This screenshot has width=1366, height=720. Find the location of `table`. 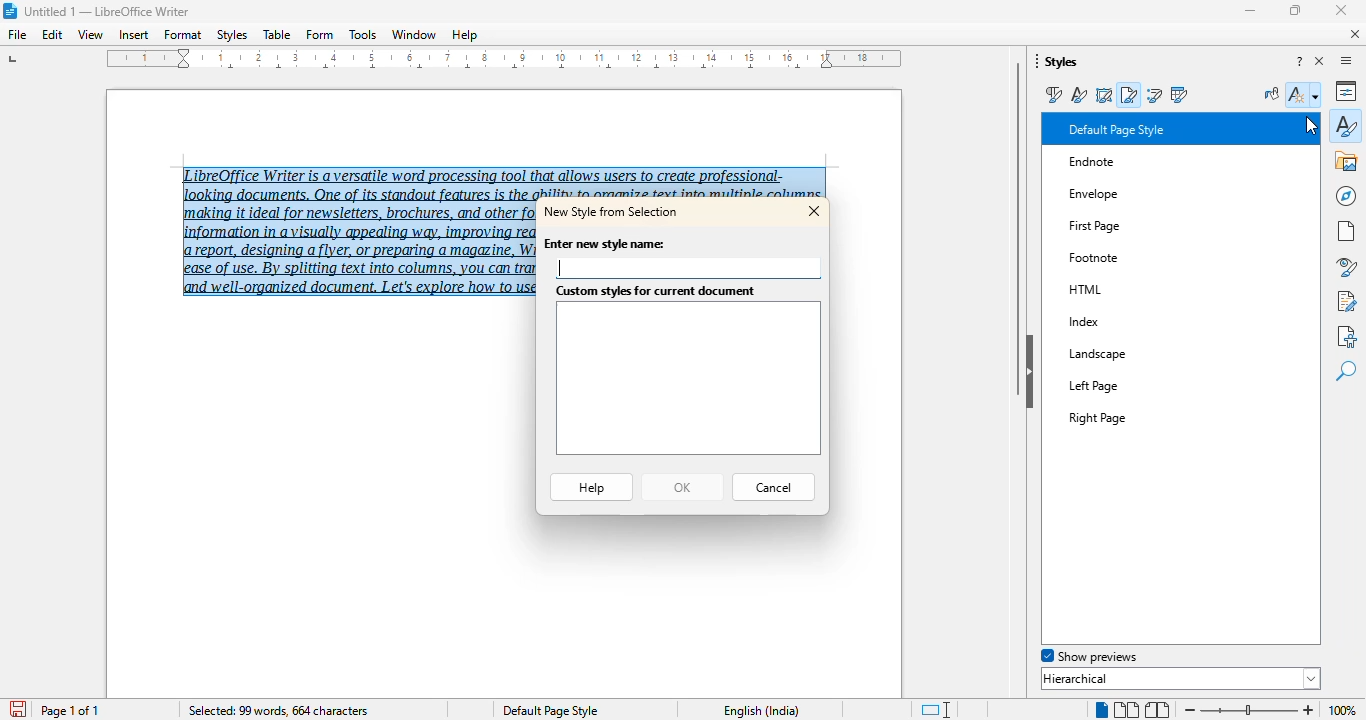

table is located at coordinates (277, 35).